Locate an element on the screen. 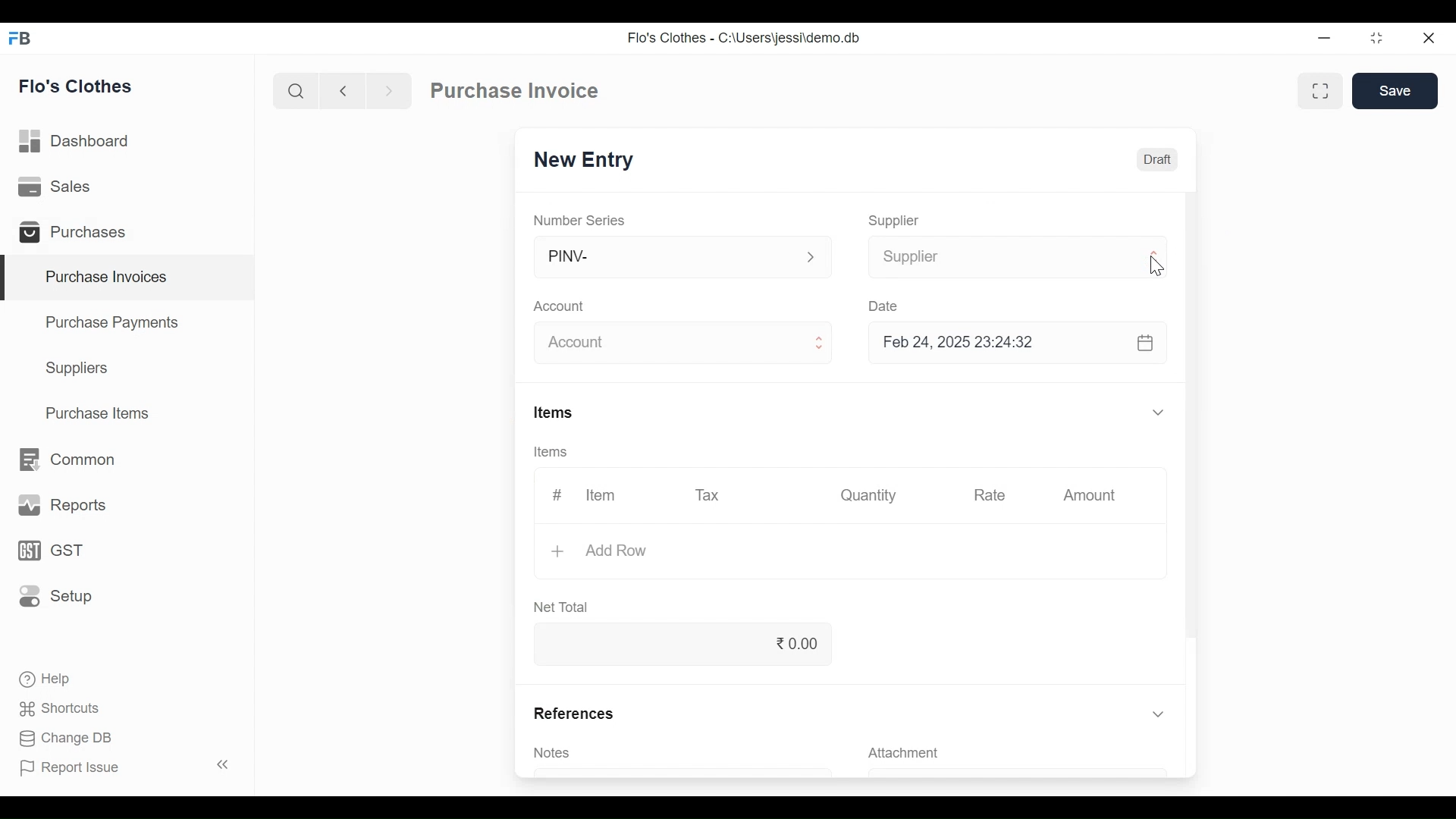  PINV- is located at coordinates (667, 257).